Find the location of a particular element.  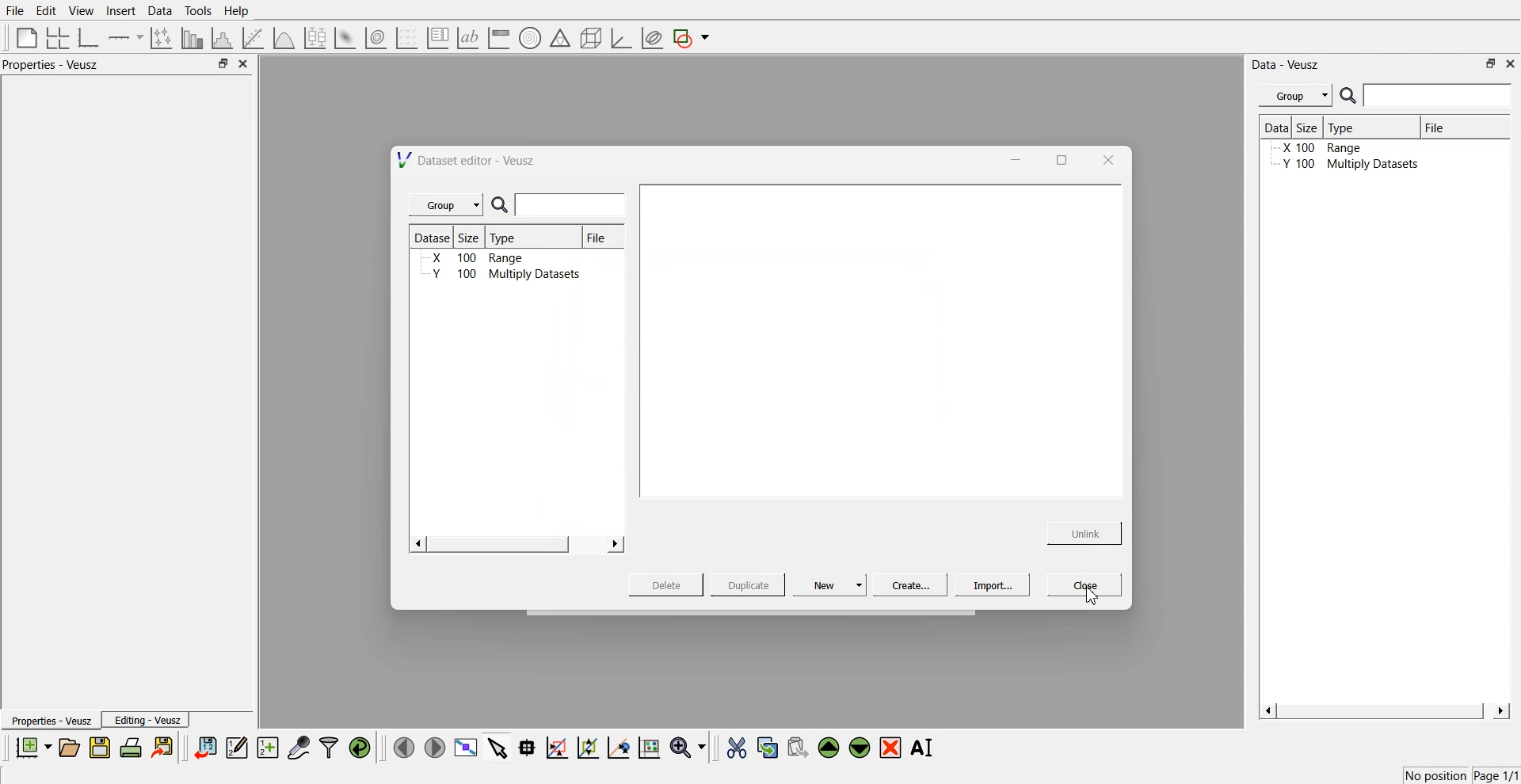

move  the selected widgets down is located at coordinates (860, 746).